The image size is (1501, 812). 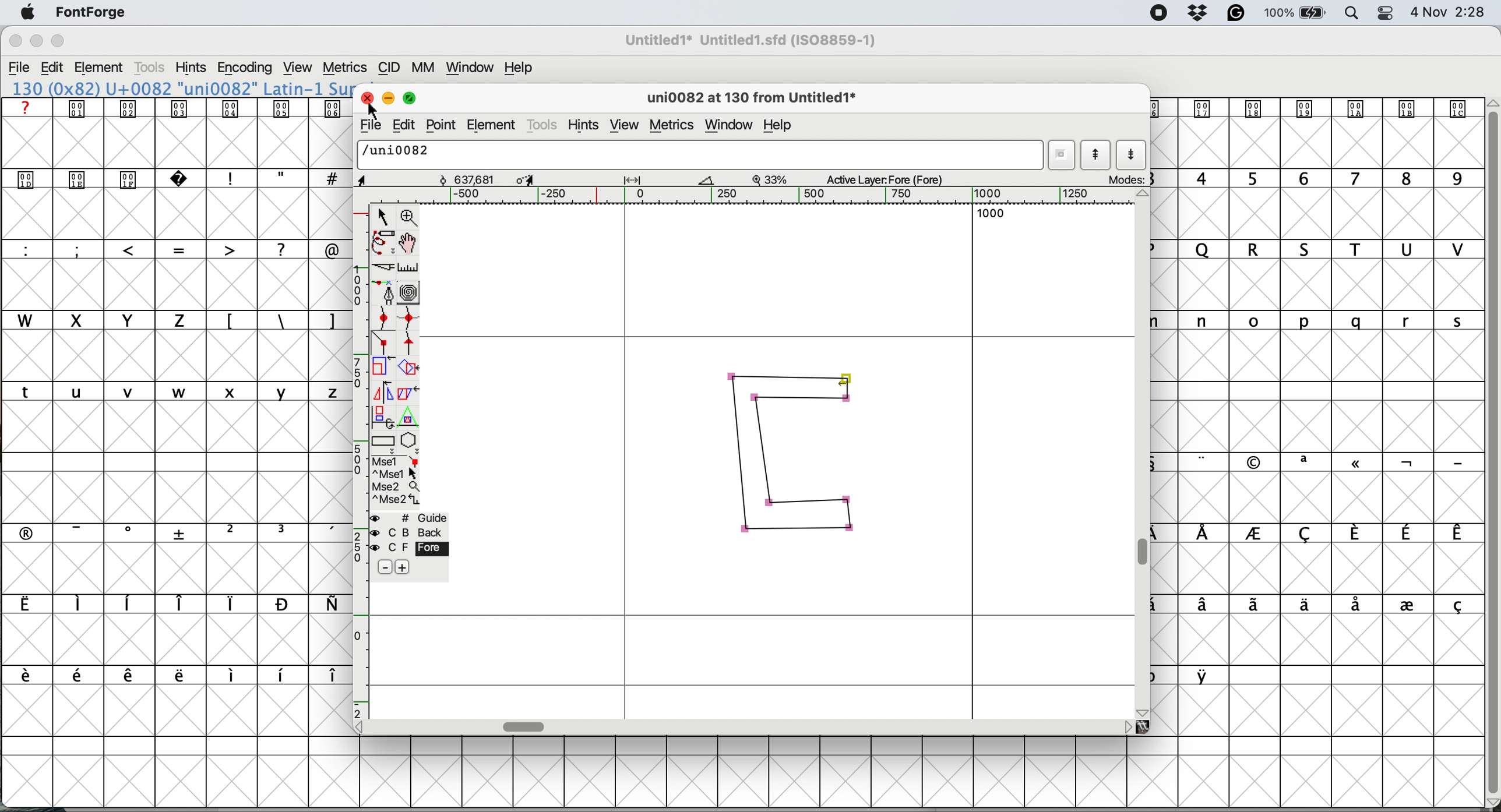 I want to click on uppercase letters, so click(x=103, y=320).